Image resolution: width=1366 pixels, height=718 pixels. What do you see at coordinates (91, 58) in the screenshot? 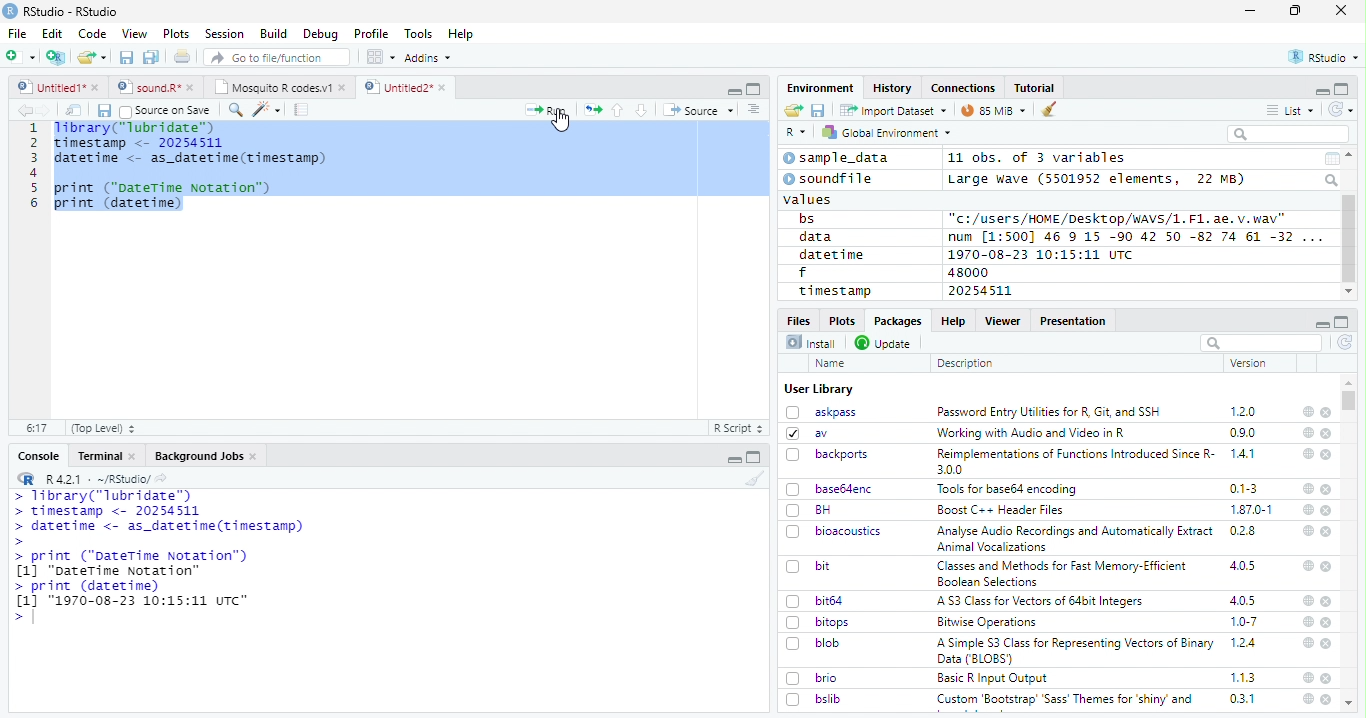
I see `open an existing file` at bounding box center [91, 58].